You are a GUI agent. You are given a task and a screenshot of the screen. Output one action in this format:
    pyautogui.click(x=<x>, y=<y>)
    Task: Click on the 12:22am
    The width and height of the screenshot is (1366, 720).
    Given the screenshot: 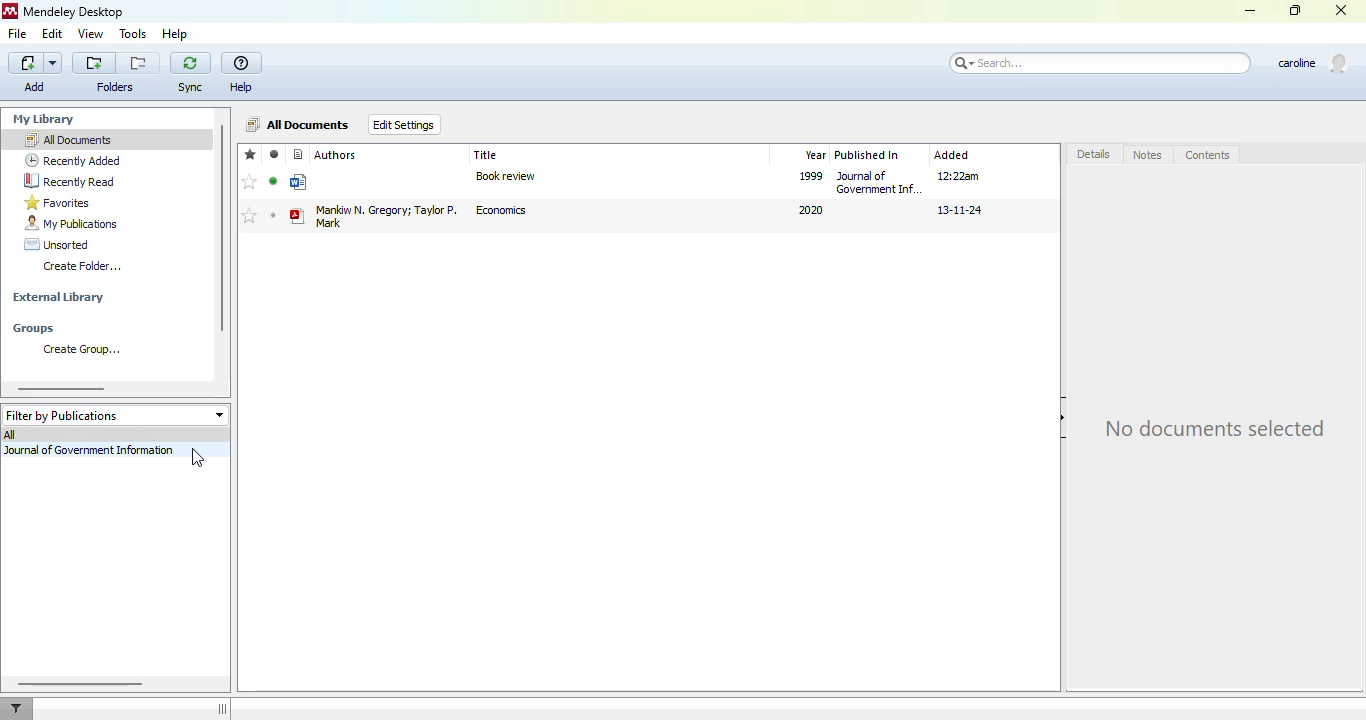 What is the action you would take?
    pyautogui.click(x=960, y=175)
    